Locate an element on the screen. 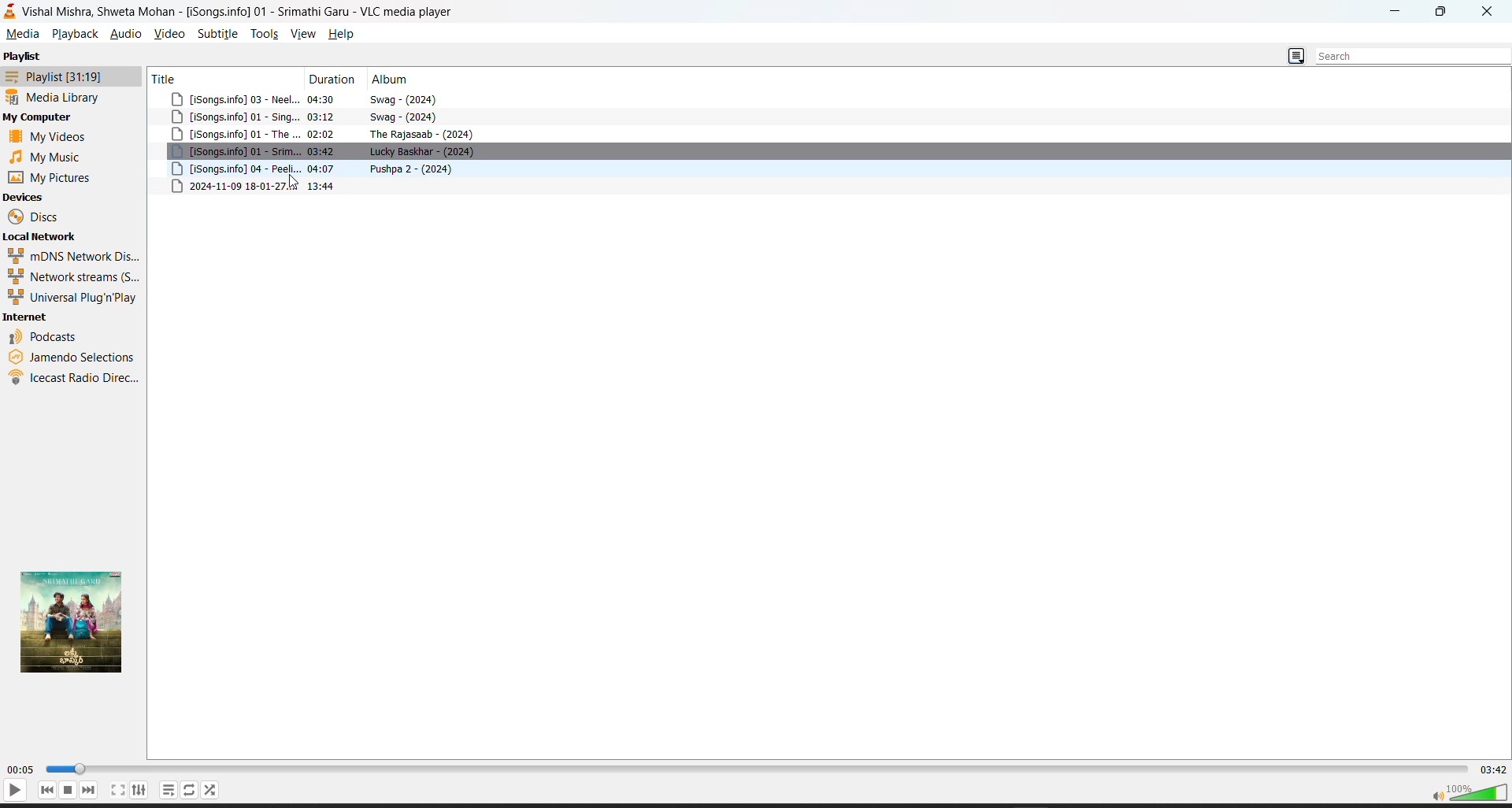 The image size is (1512, 808). songs info 04-peeli is located at coordinates (233, 168).